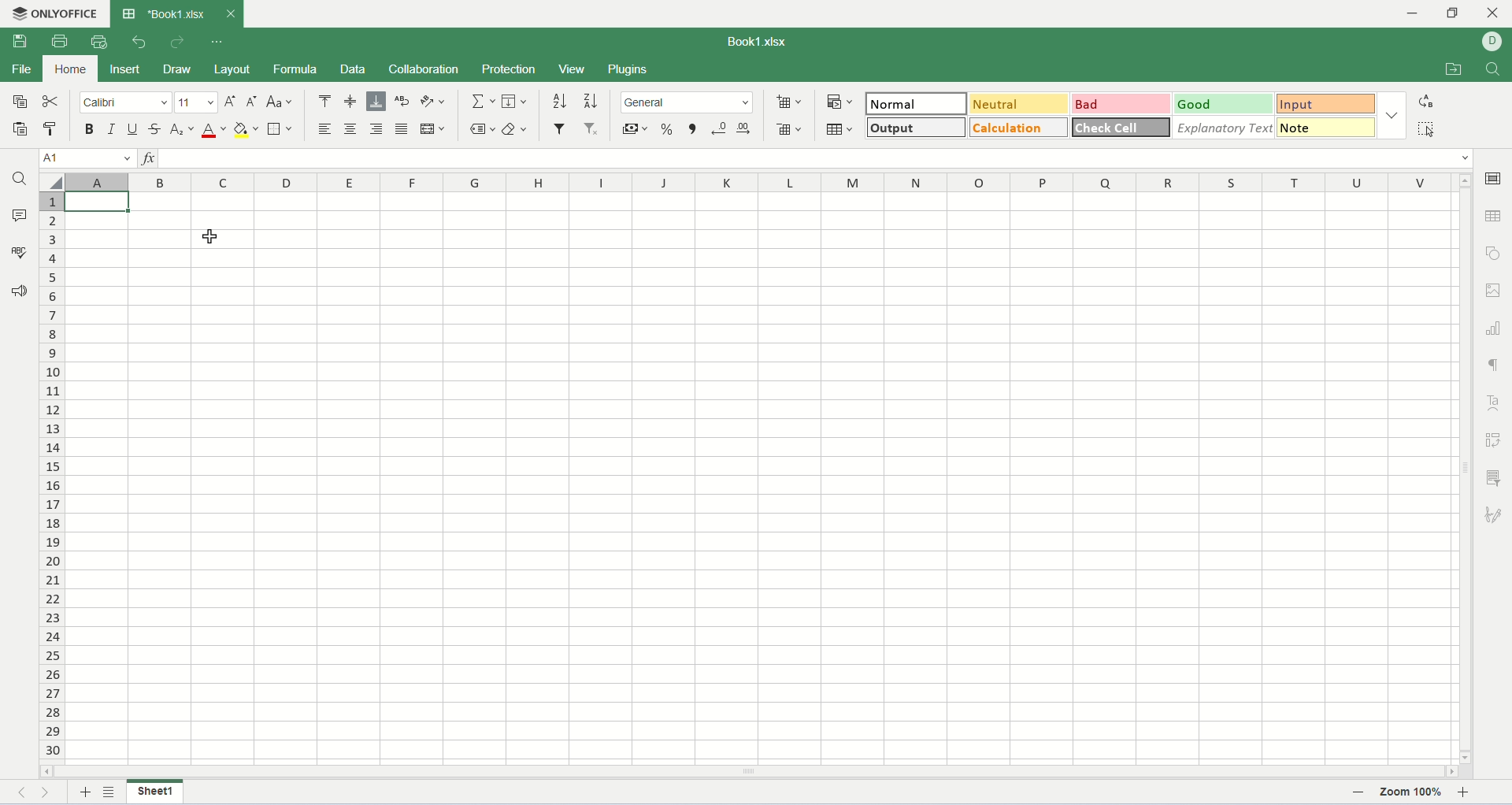  Describe the element at coordinates (1495, 363) in the screenshot. I see `paragraph settings` at that location.